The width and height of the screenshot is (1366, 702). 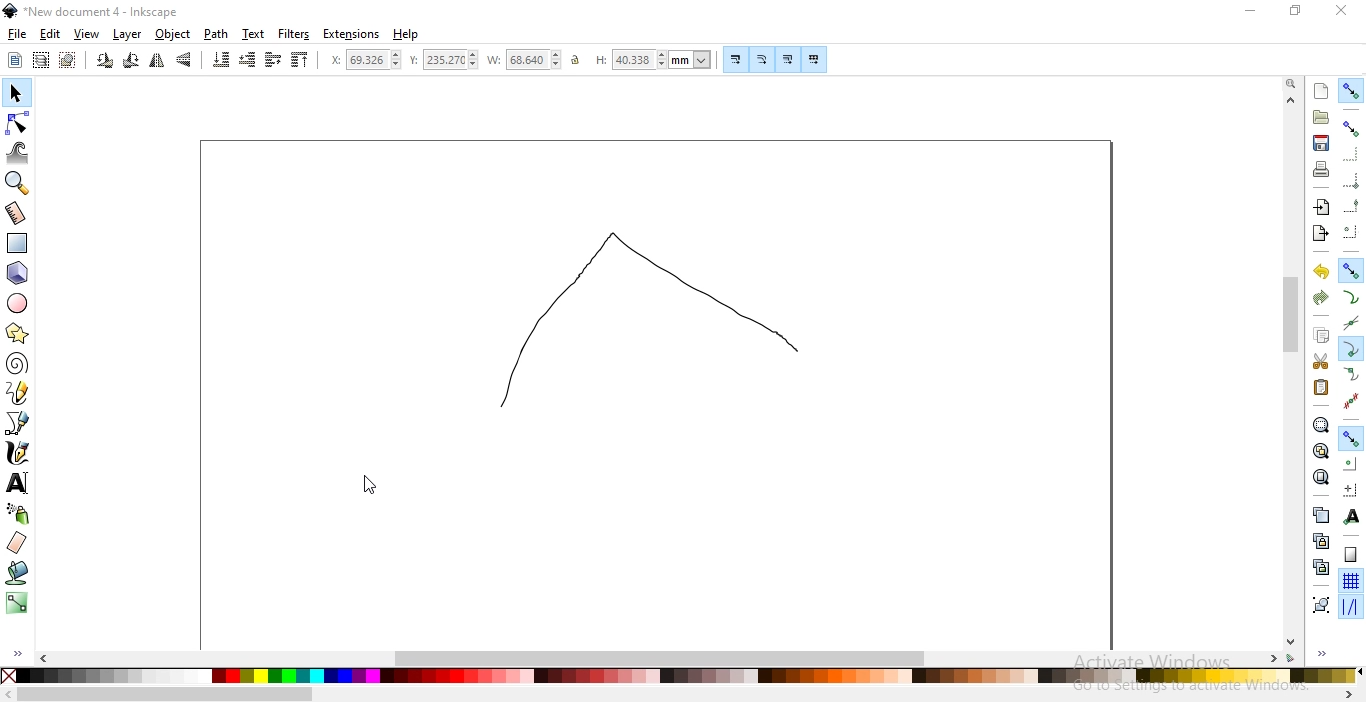 I want to click on snap smooth nodes, so click(x=1351, y=375).